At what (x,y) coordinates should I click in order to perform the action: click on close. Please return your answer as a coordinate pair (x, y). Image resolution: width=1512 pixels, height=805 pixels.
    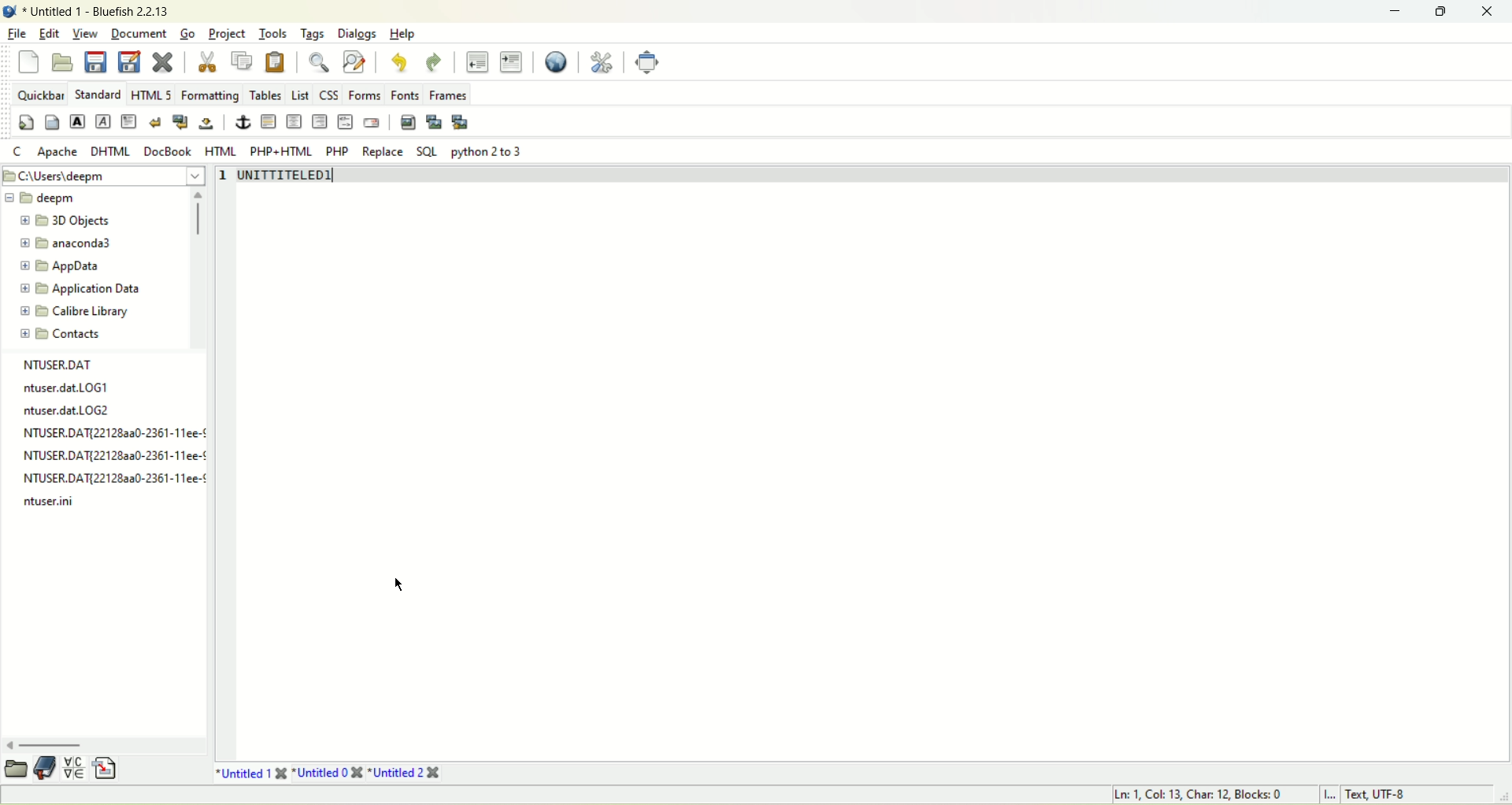
    Looking at the image, I should click on (1488, 12).